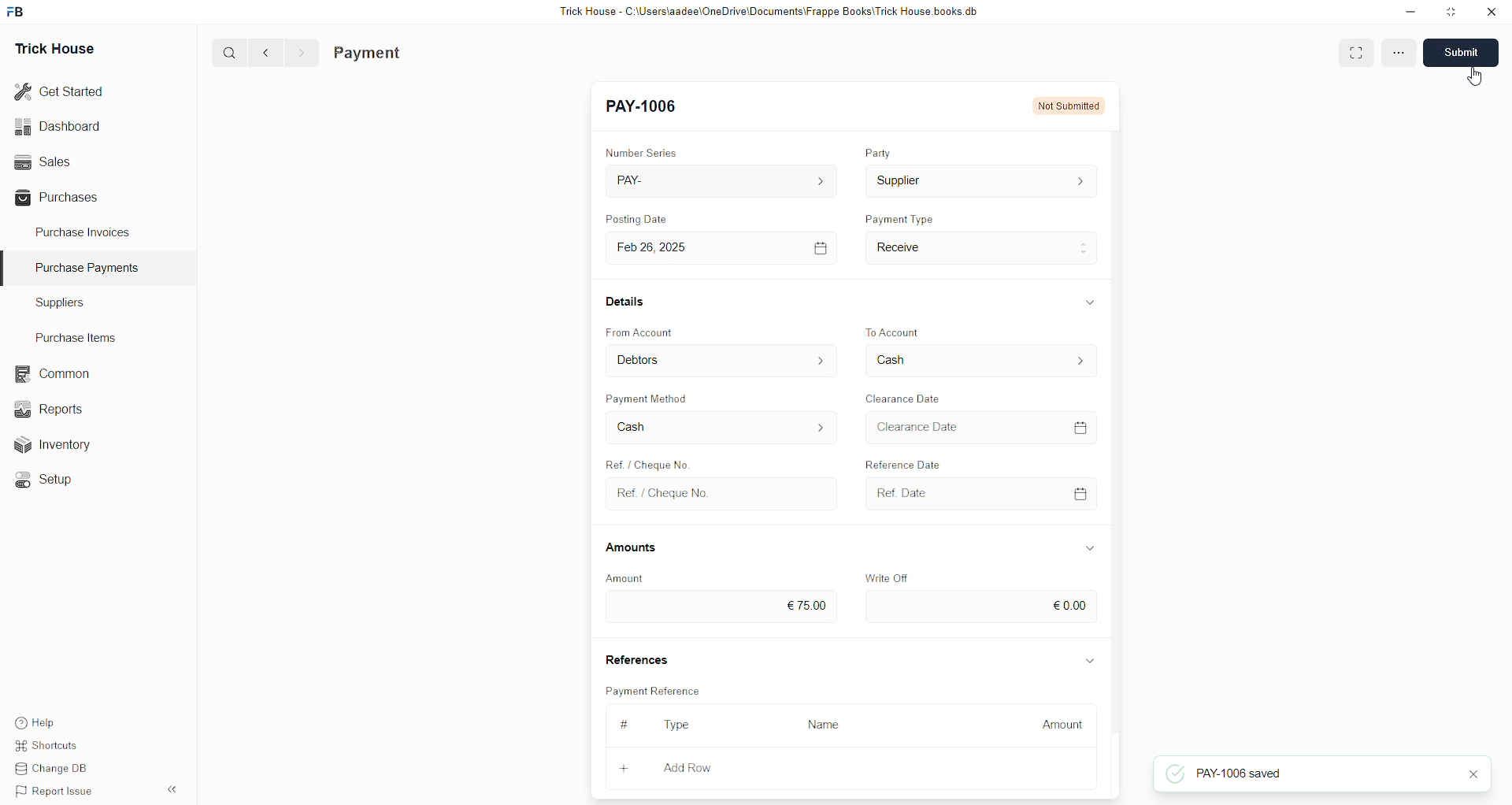  What do you see at coordinates (980, 607) in the screenshot?
I see `€0.00` at bounding box center [980, 607].